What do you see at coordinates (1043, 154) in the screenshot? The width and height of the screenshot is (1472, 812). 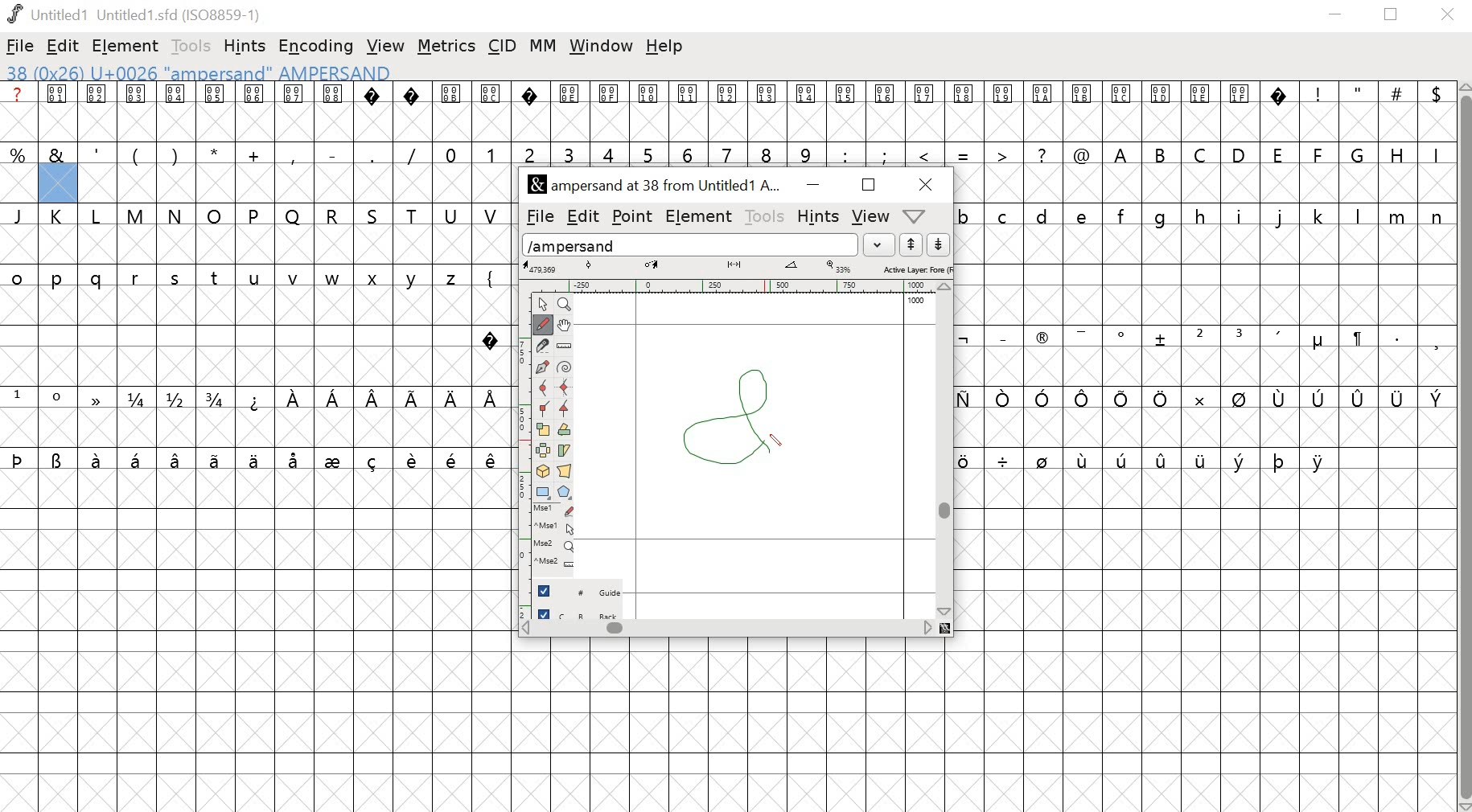 I see `?` at bounding box center [1043, 154].